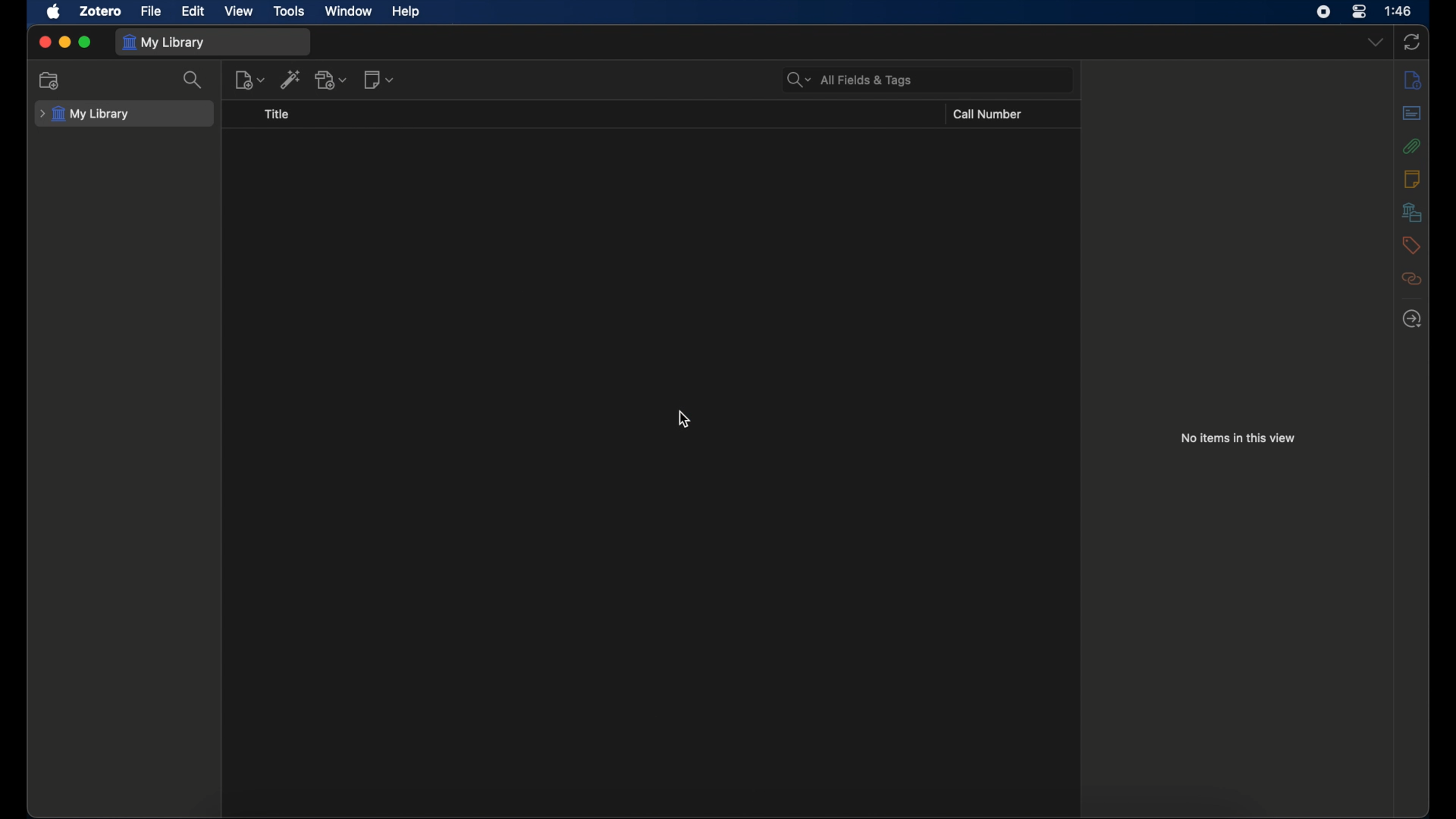  What do you see at coordinates (1323, 11) in the screenshot?
I see `screen recorder` at bounding box center [1323, 11].